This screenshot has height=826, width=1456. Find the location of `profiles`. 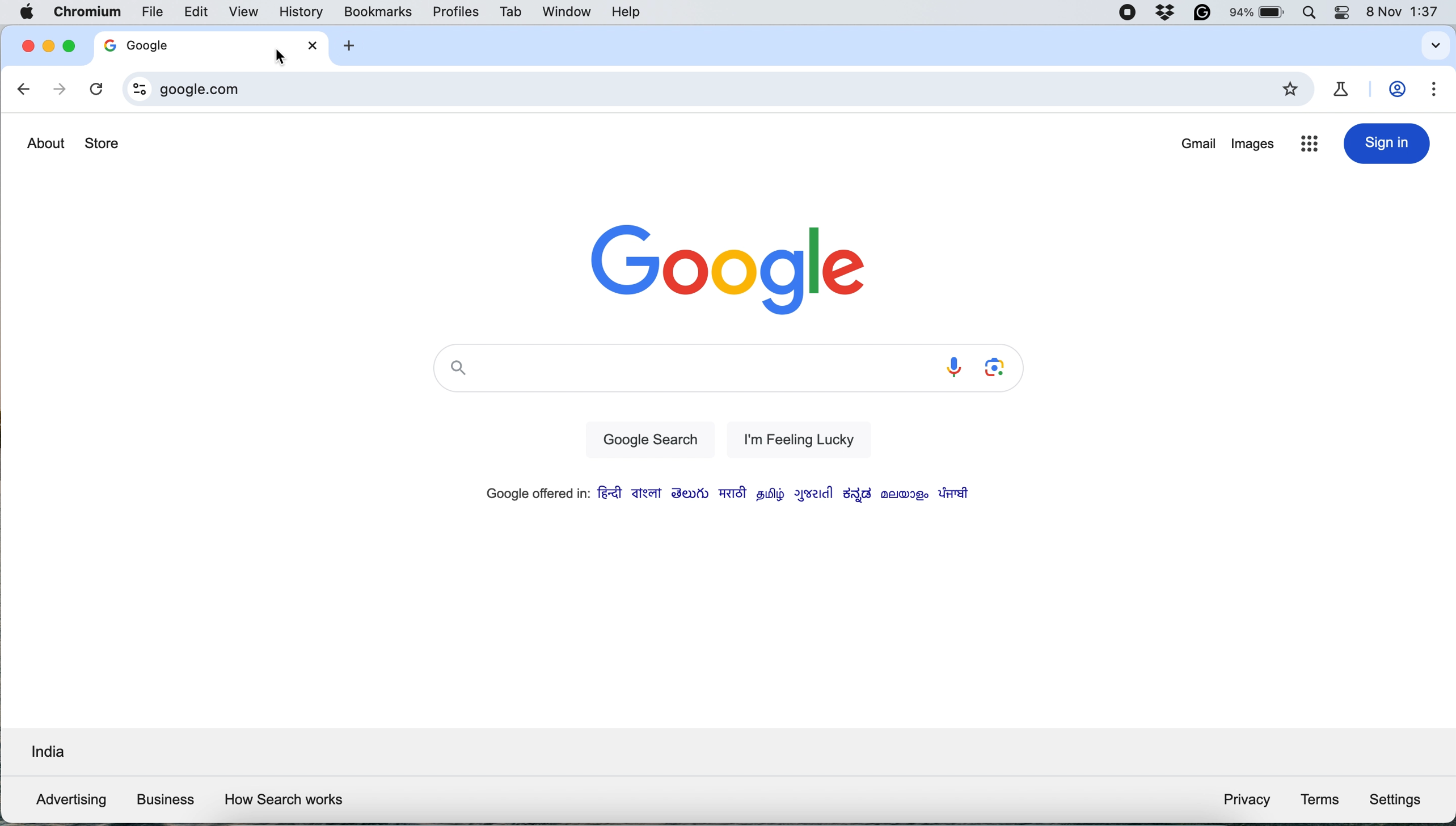

profiles is located at coordinates (455, 11).